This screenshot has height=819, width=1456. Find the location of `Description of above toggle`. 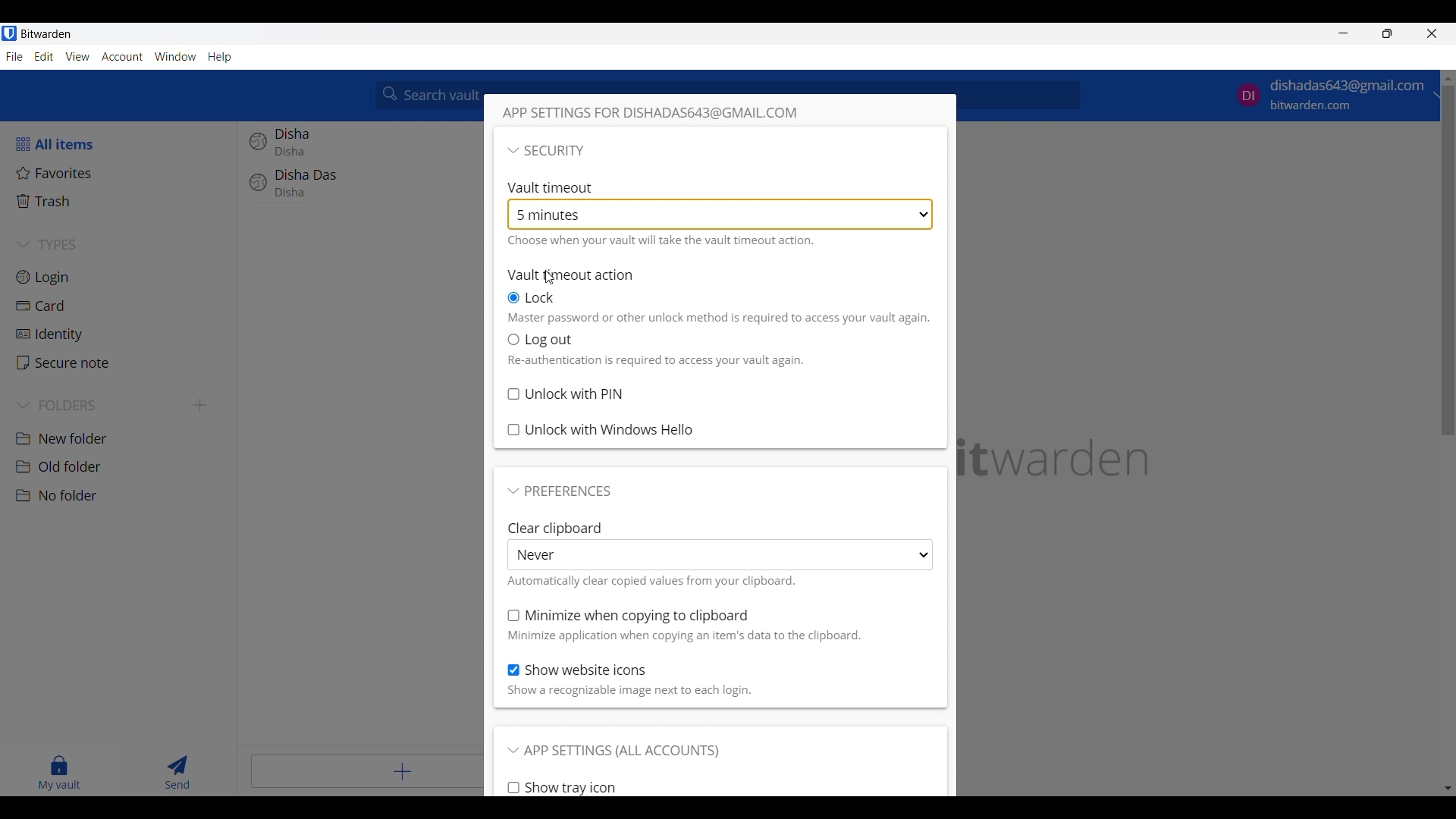

Description of above toggle is located at coordinates (629, 692).